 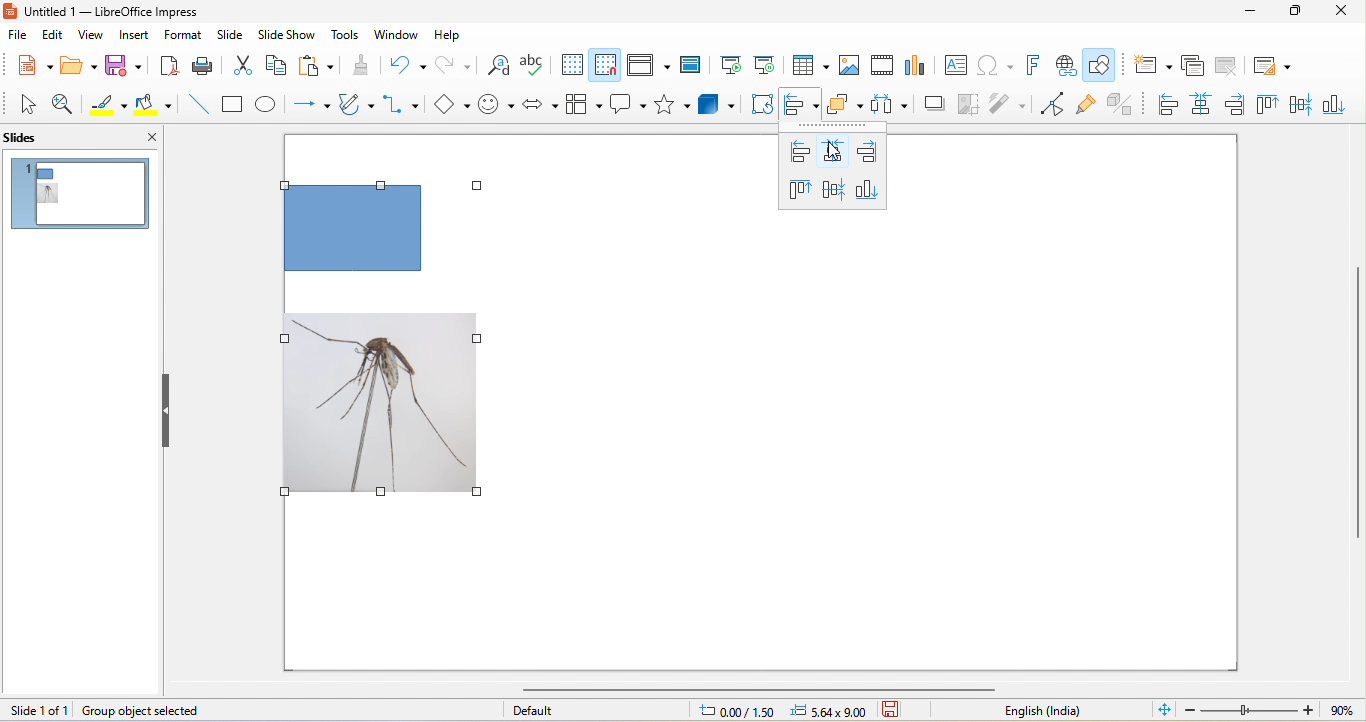 What do you see at coordinates (835, 151) in the screenshot?
I see `cursor movement` at bounding box center [835, 151].